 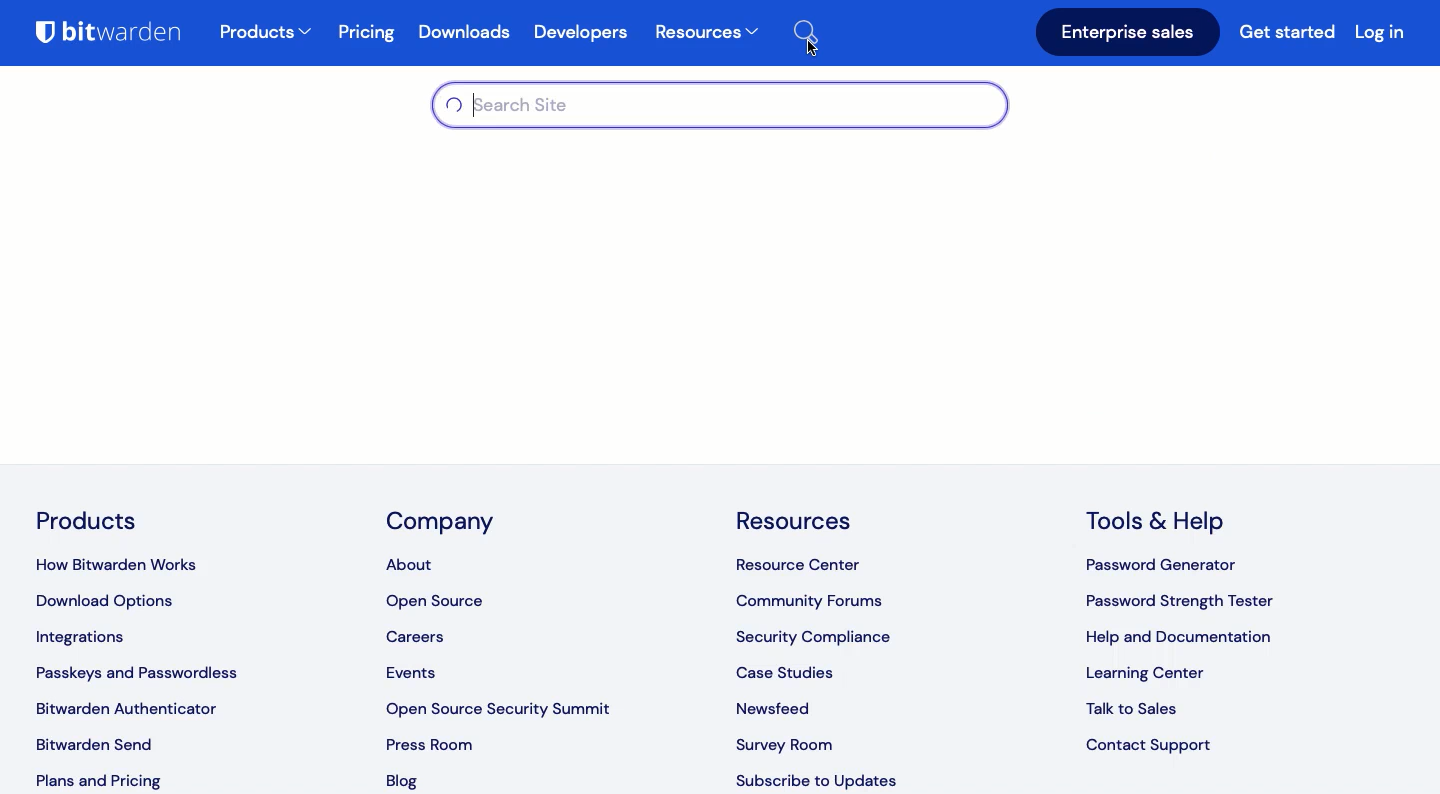 What do you see at coordinates (266, 34) in the screenshot?
I see `products` at bounding box center [266, 34].